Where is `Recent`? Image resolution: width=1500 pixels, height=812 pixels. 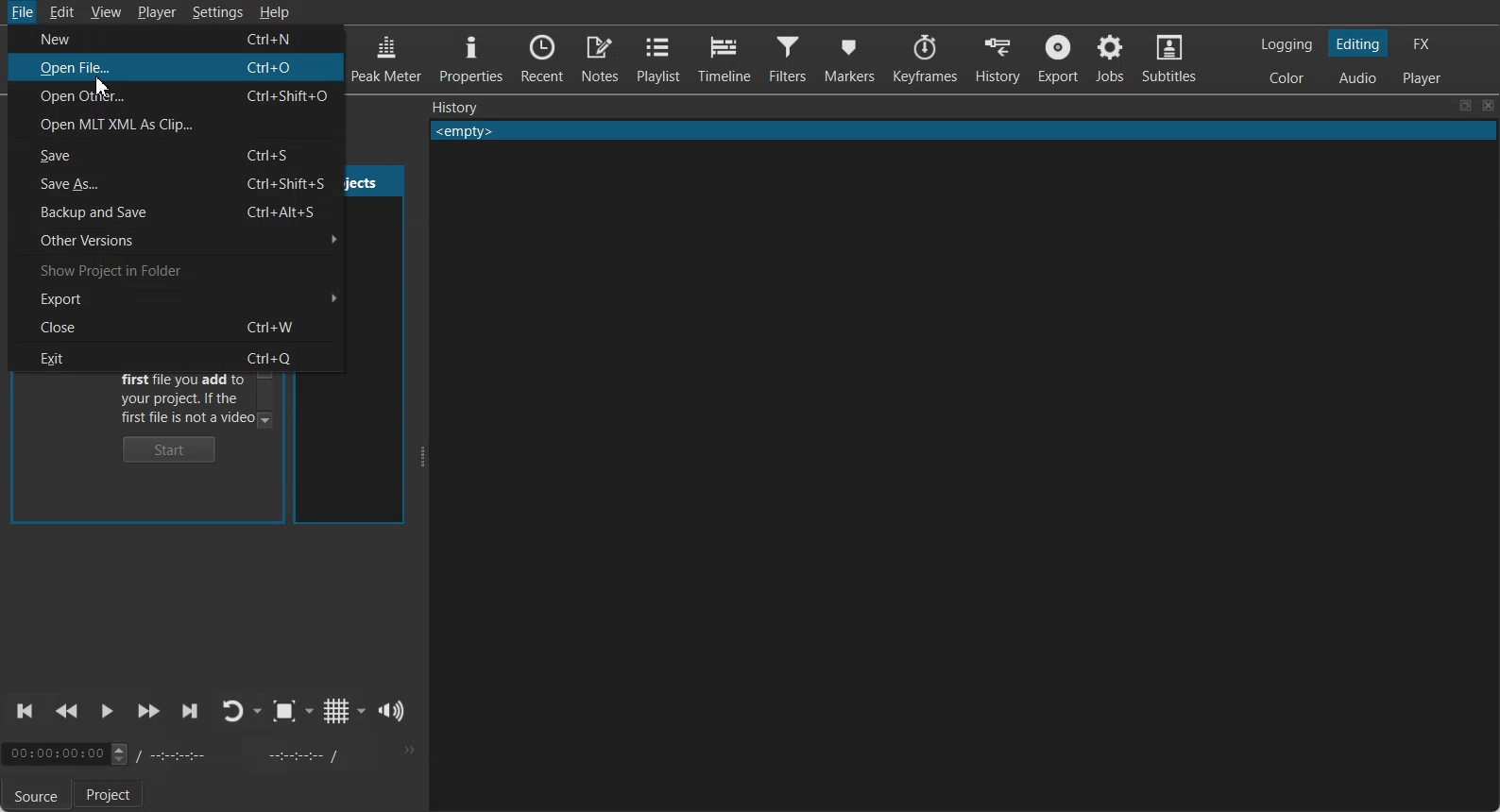
Recent is located at coordinates (542, 57).